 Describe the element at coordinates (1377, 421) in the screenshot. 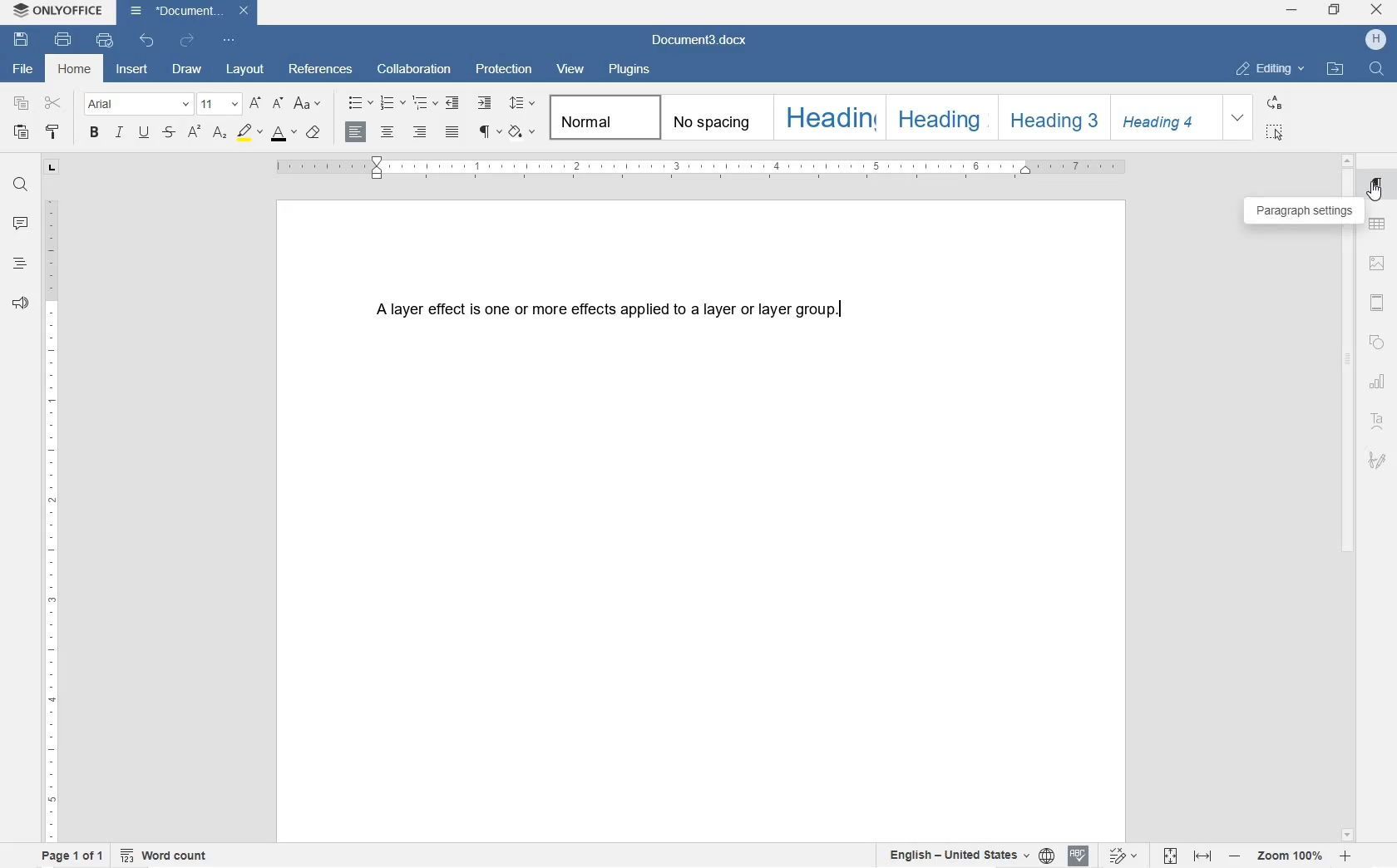

I see `TEXT ART` at that location.